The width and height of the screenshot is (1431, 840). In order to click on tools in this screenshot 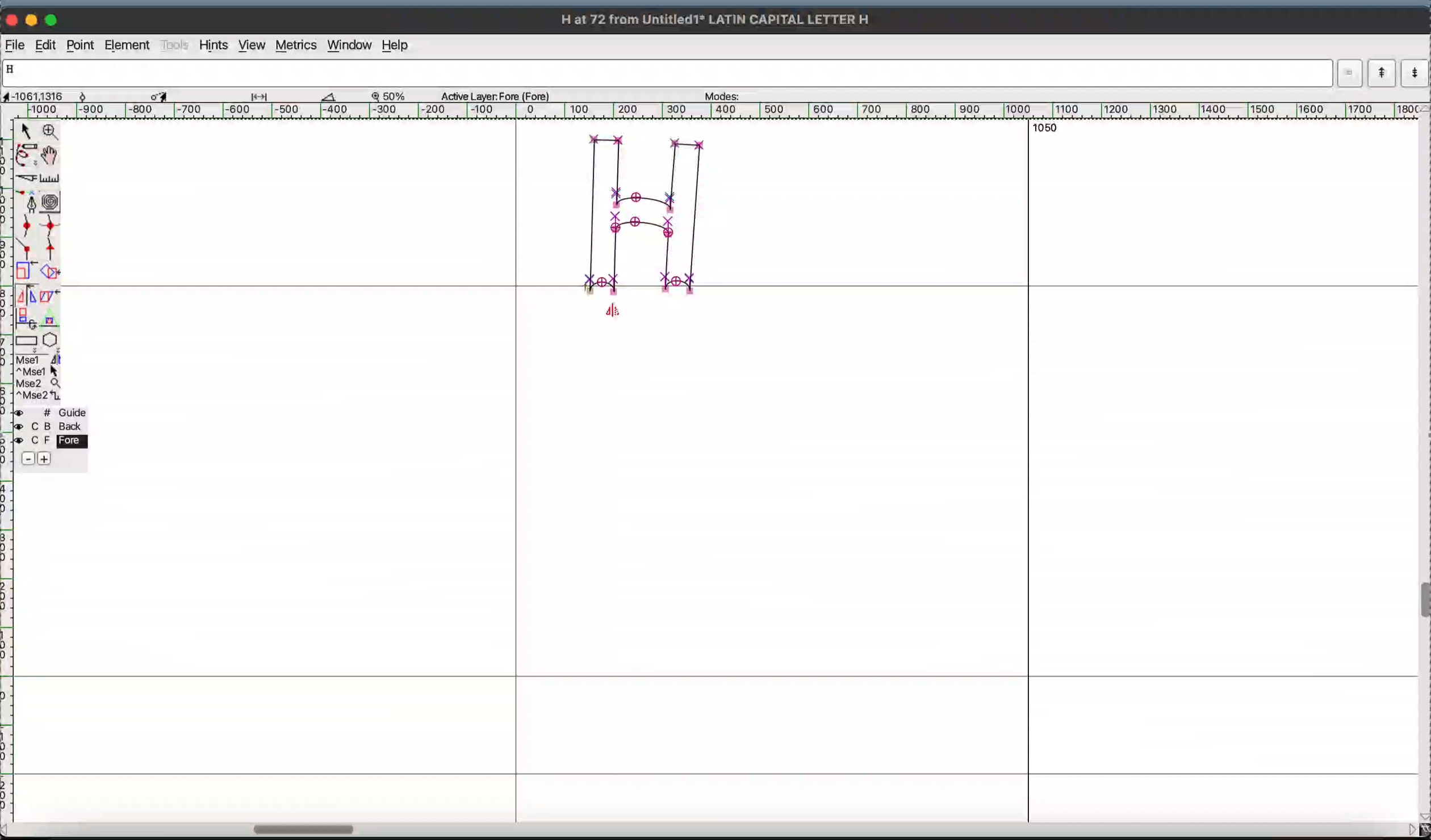, I will do `click(172, 45)`.